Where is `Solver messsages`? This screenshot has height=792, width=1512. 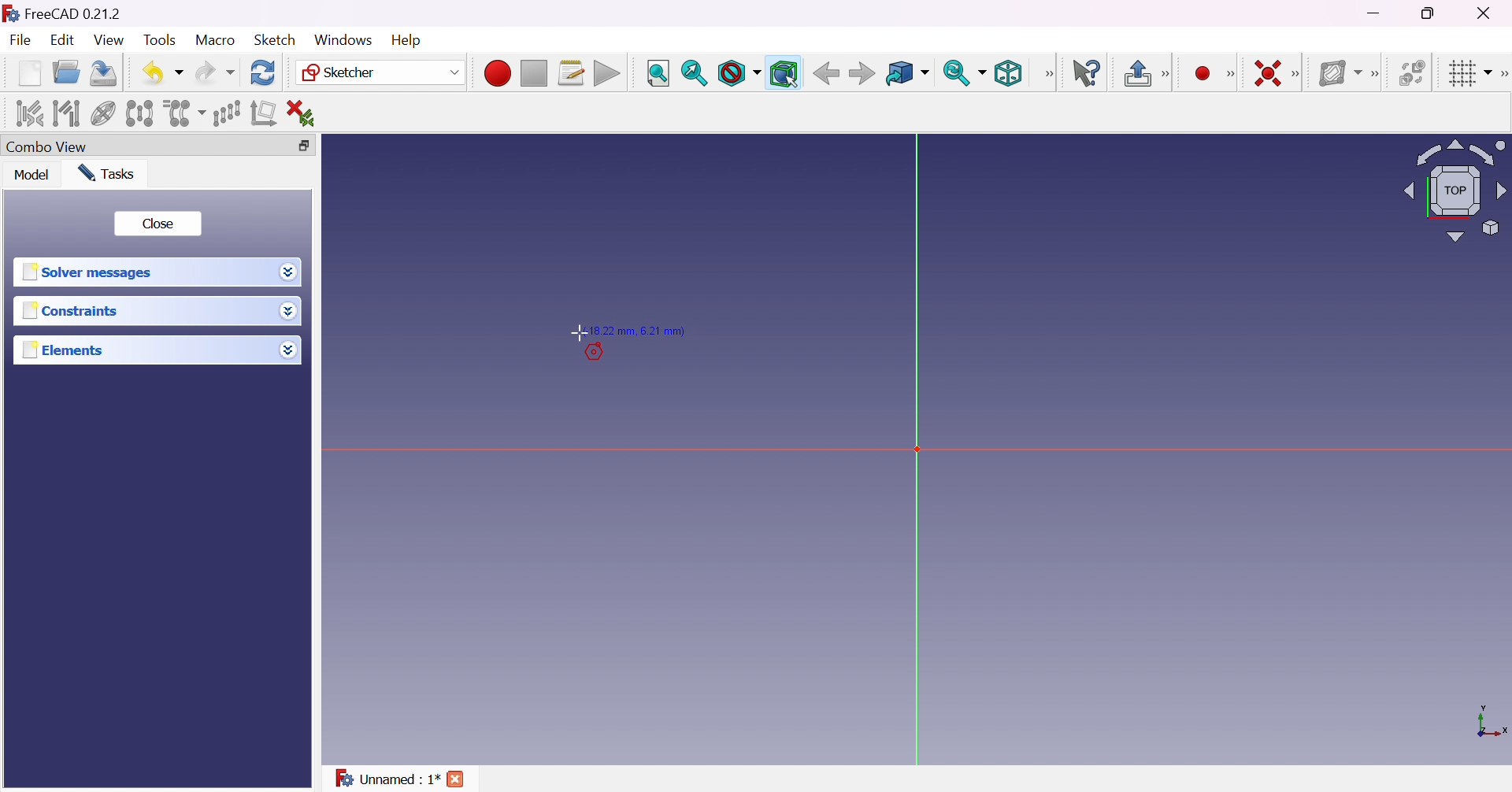
Solver messsages is located at coordinates (91, 272).